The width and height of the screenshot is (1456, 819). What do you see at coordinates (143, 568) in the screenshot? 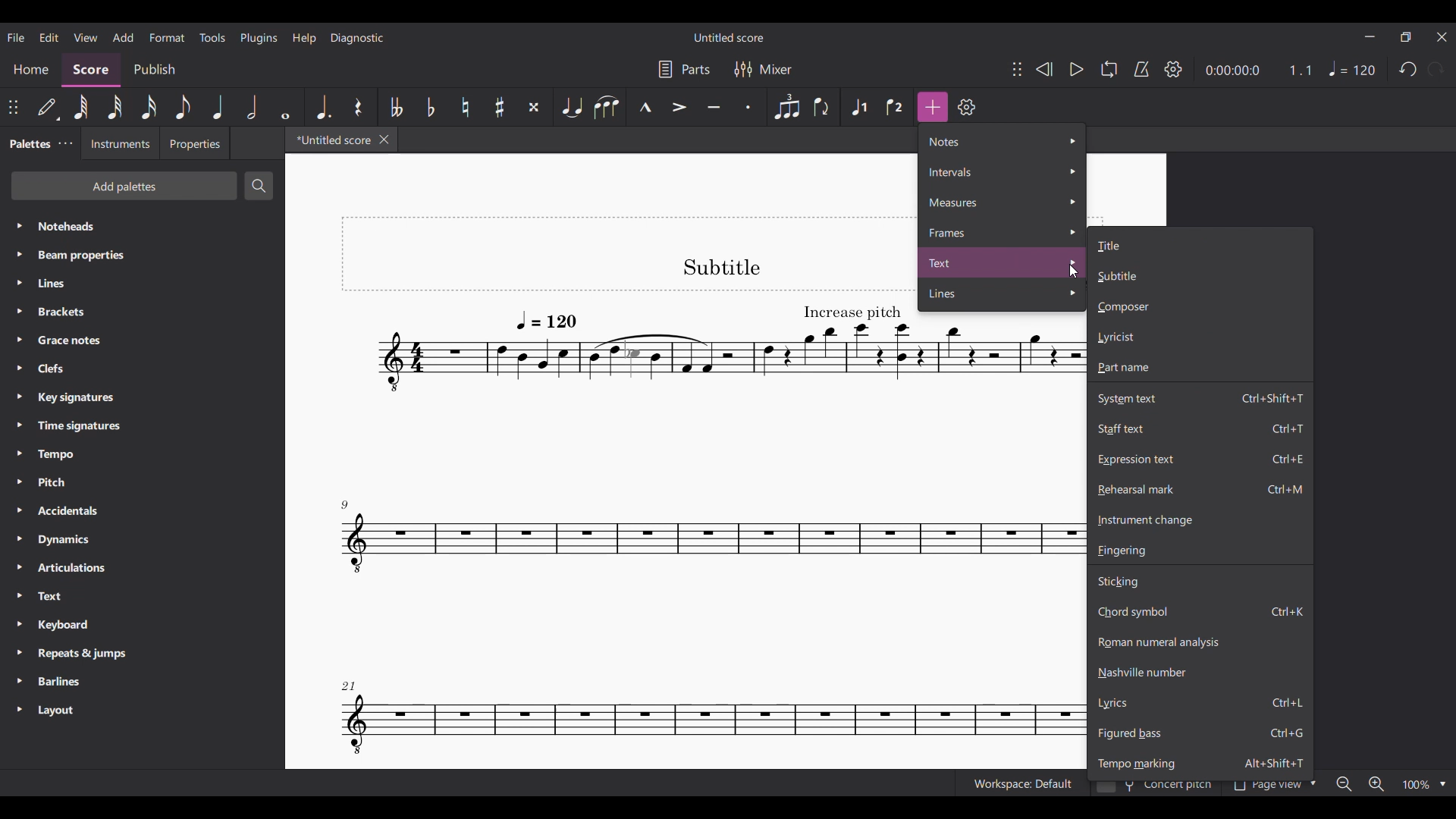
I see `Articulations` at bounding box center [143, 568].